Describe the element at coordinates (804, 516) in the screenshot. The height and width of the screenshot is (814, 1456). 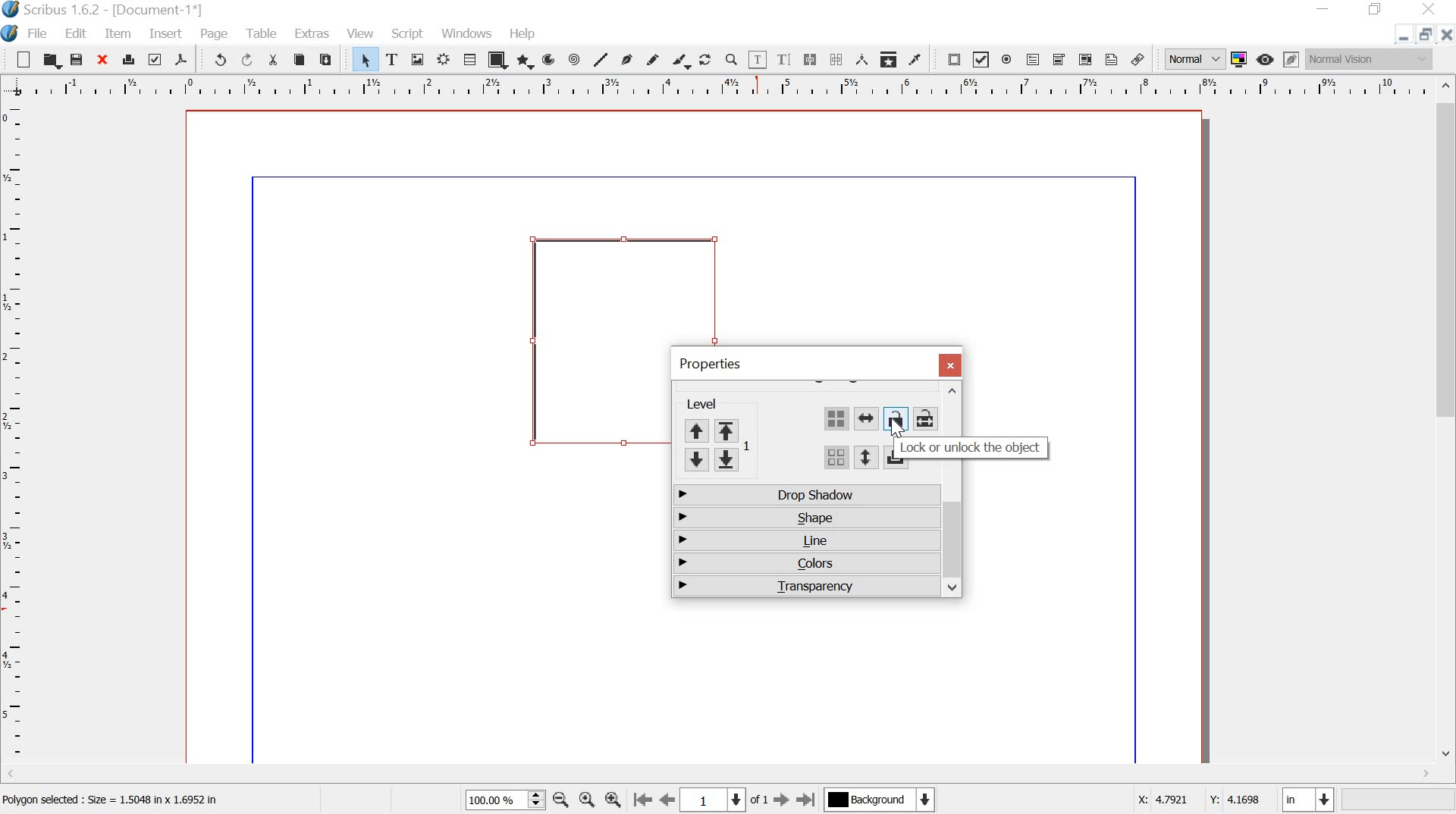
I see `shape` at that location.